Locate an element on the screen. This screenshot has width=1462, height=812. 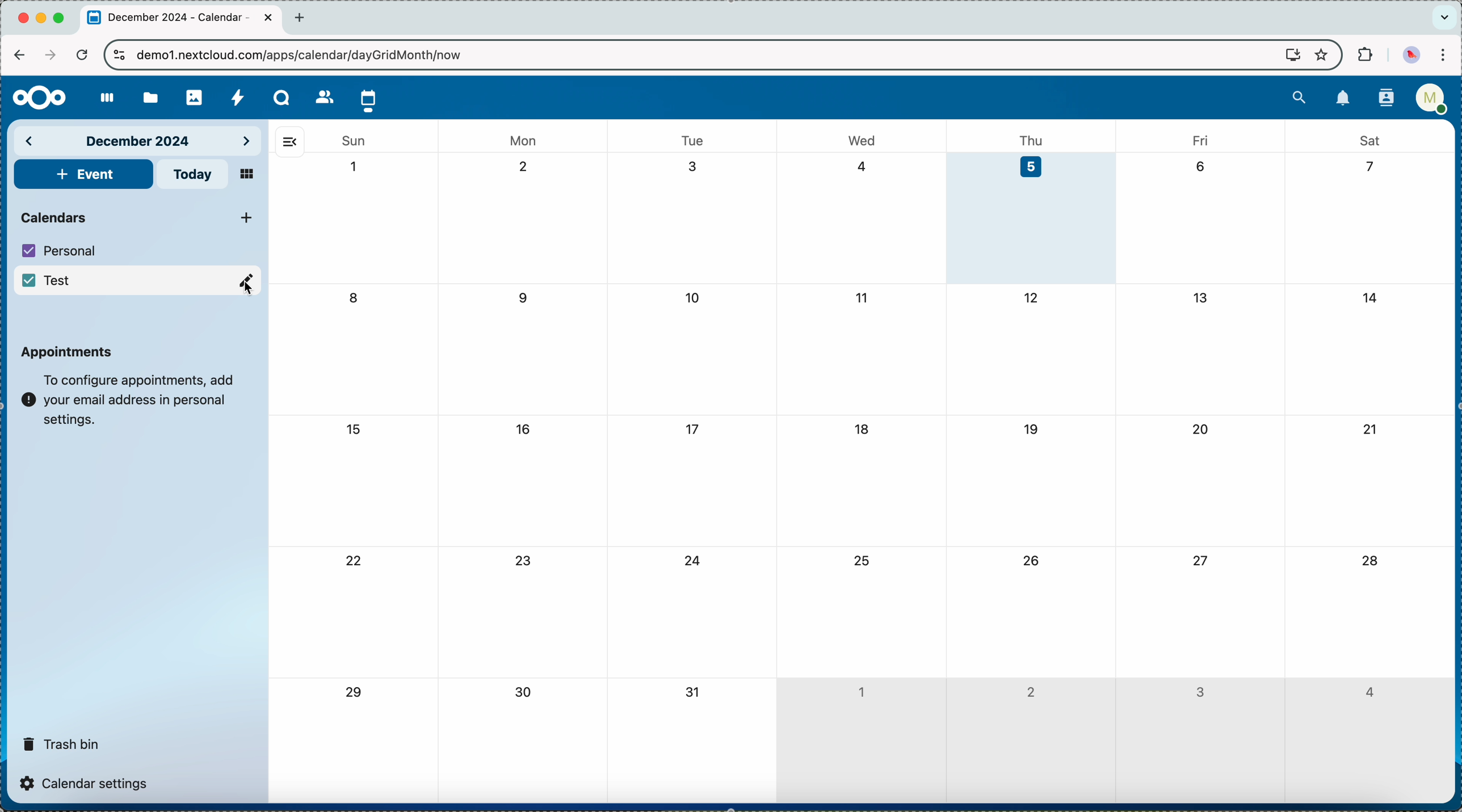
fri is located at coordinates (1199, 140).